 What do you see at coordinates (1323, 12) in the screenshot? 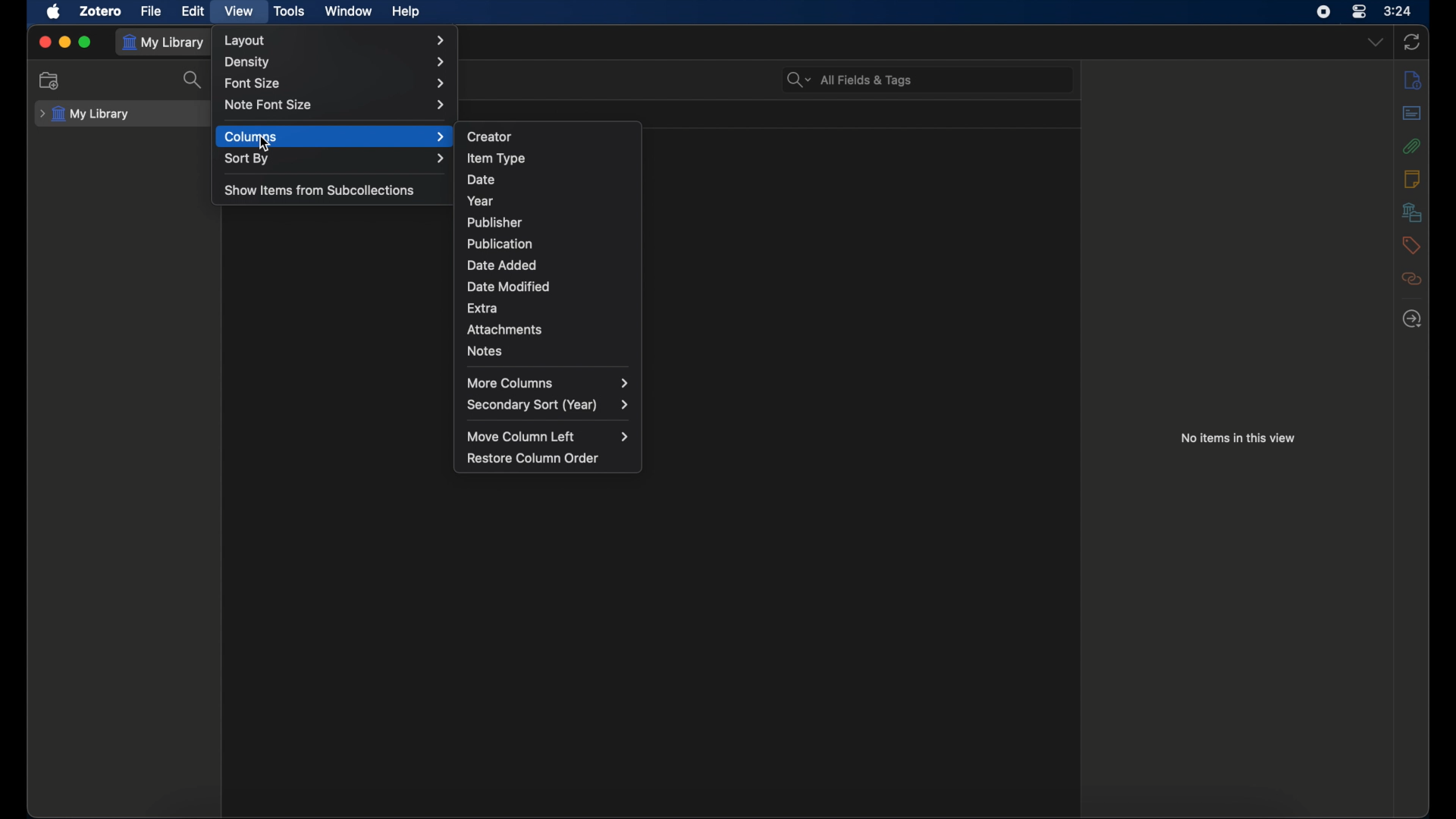
I see `screen recorder` at bounding box center [1323, 12].